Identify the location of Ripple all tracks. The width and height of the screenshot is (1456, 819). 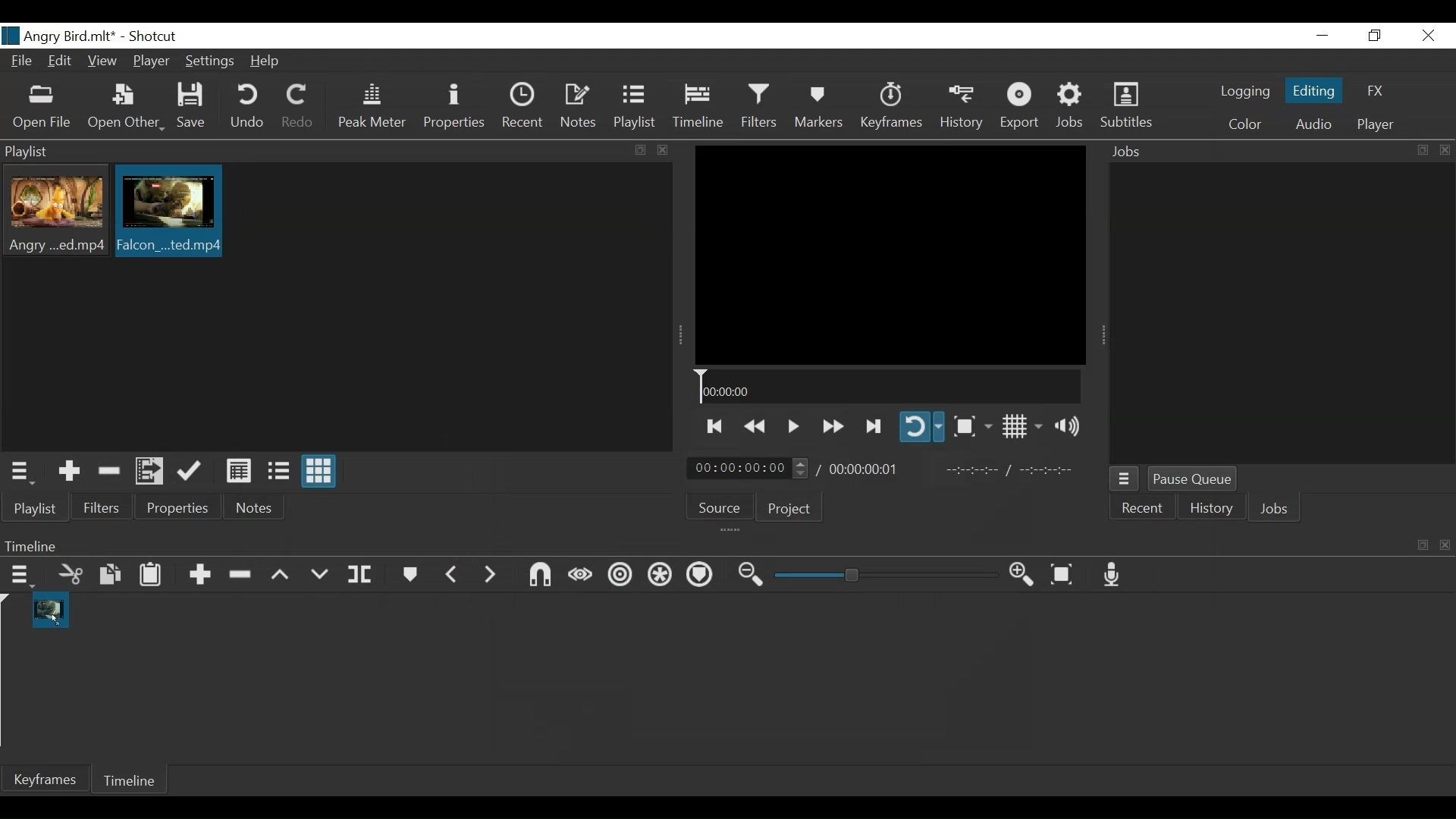
(699, 576).